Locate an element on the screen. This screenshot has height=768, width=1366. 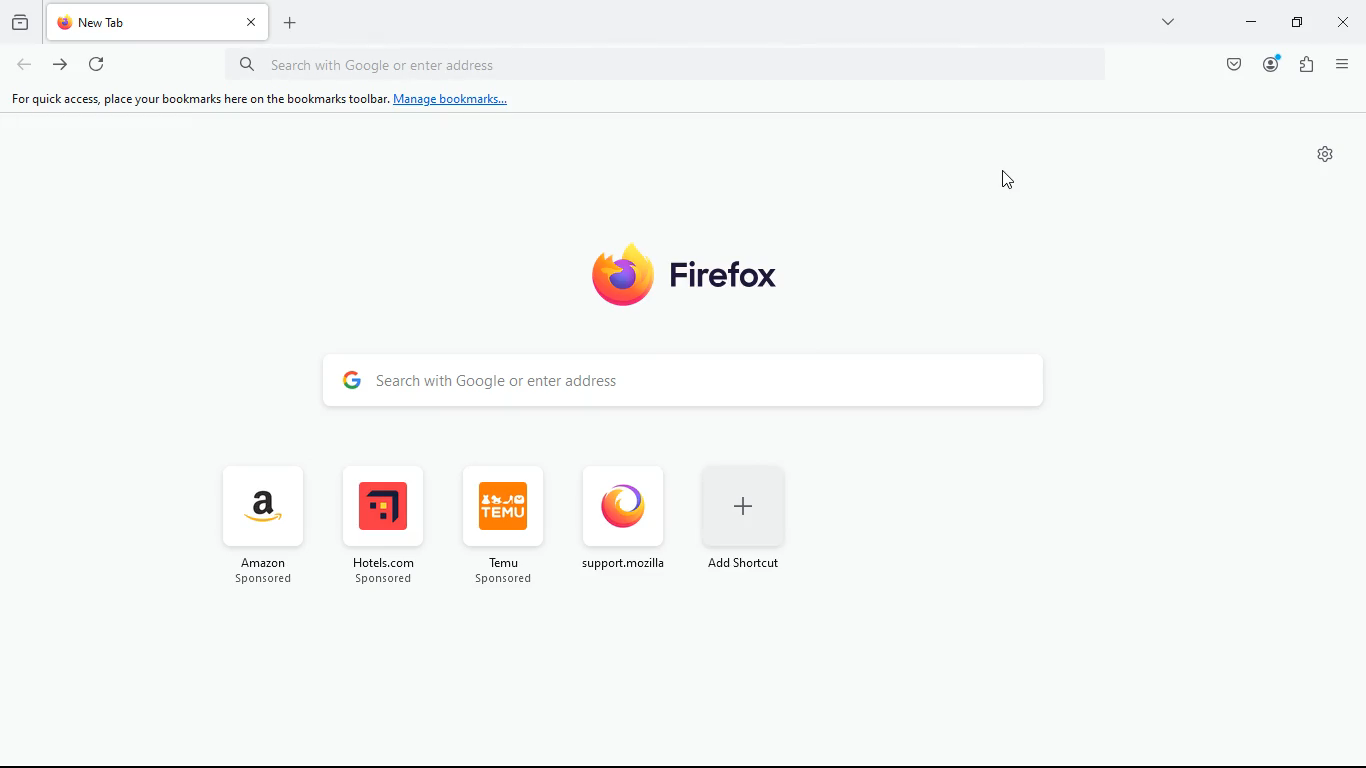
forward is located at coordinates (60, 67).